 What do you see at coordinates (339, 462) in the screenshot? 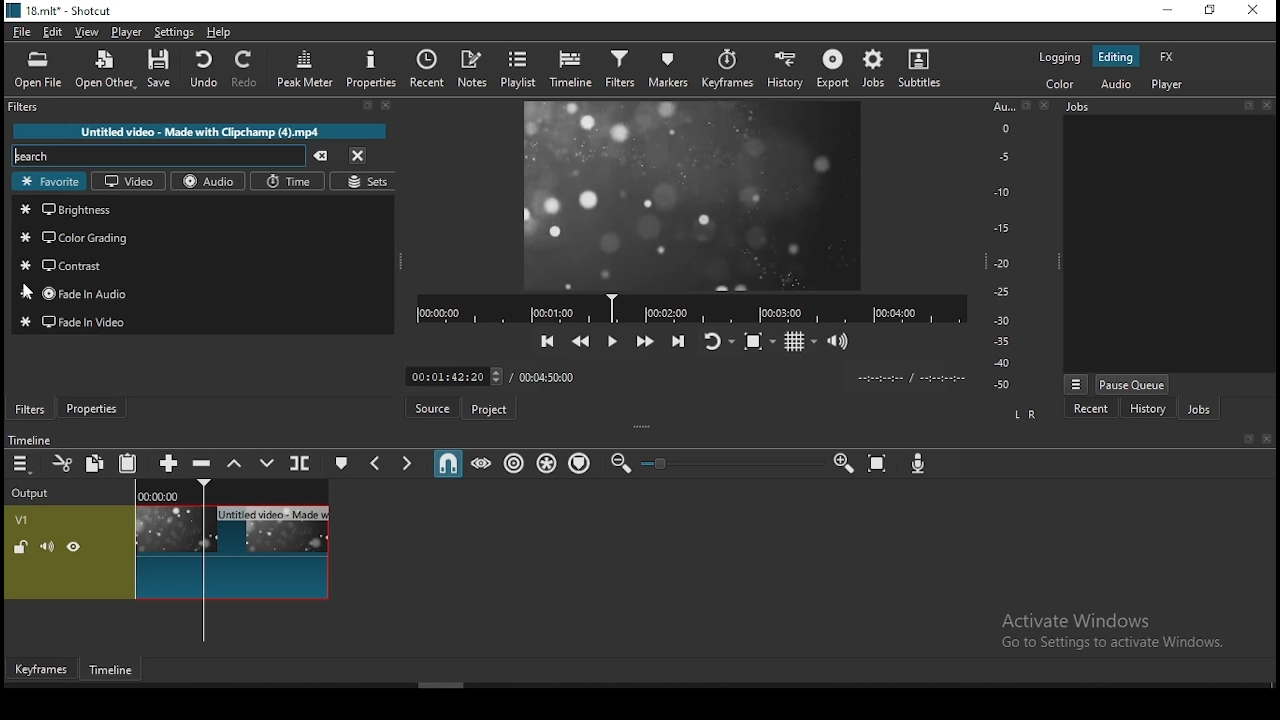
I see `create/edit marker` at bounding box center [339, 462].